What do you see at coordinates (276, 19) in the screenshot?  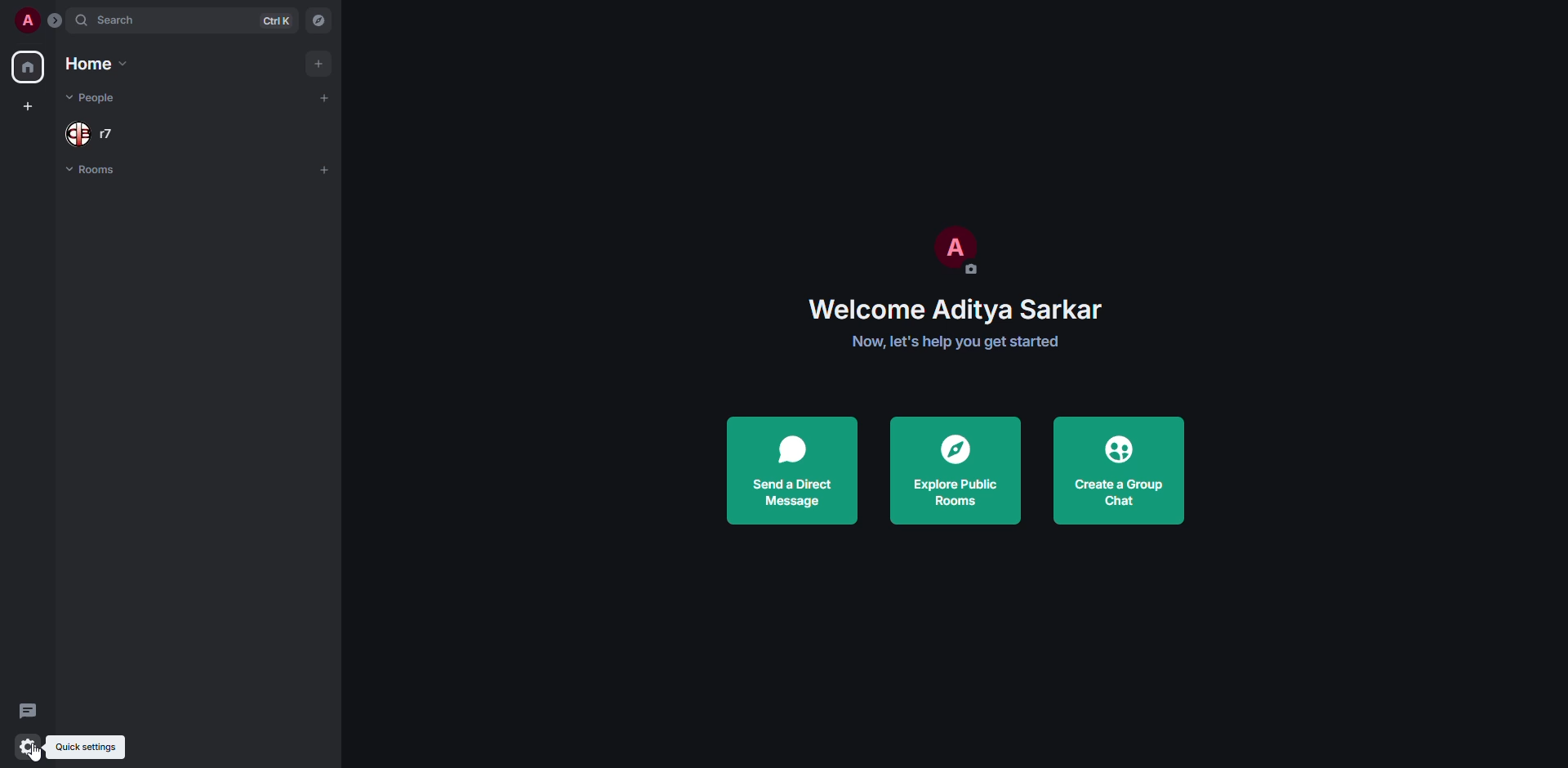 I see `ctrl K` at bounding box center [276, 19].